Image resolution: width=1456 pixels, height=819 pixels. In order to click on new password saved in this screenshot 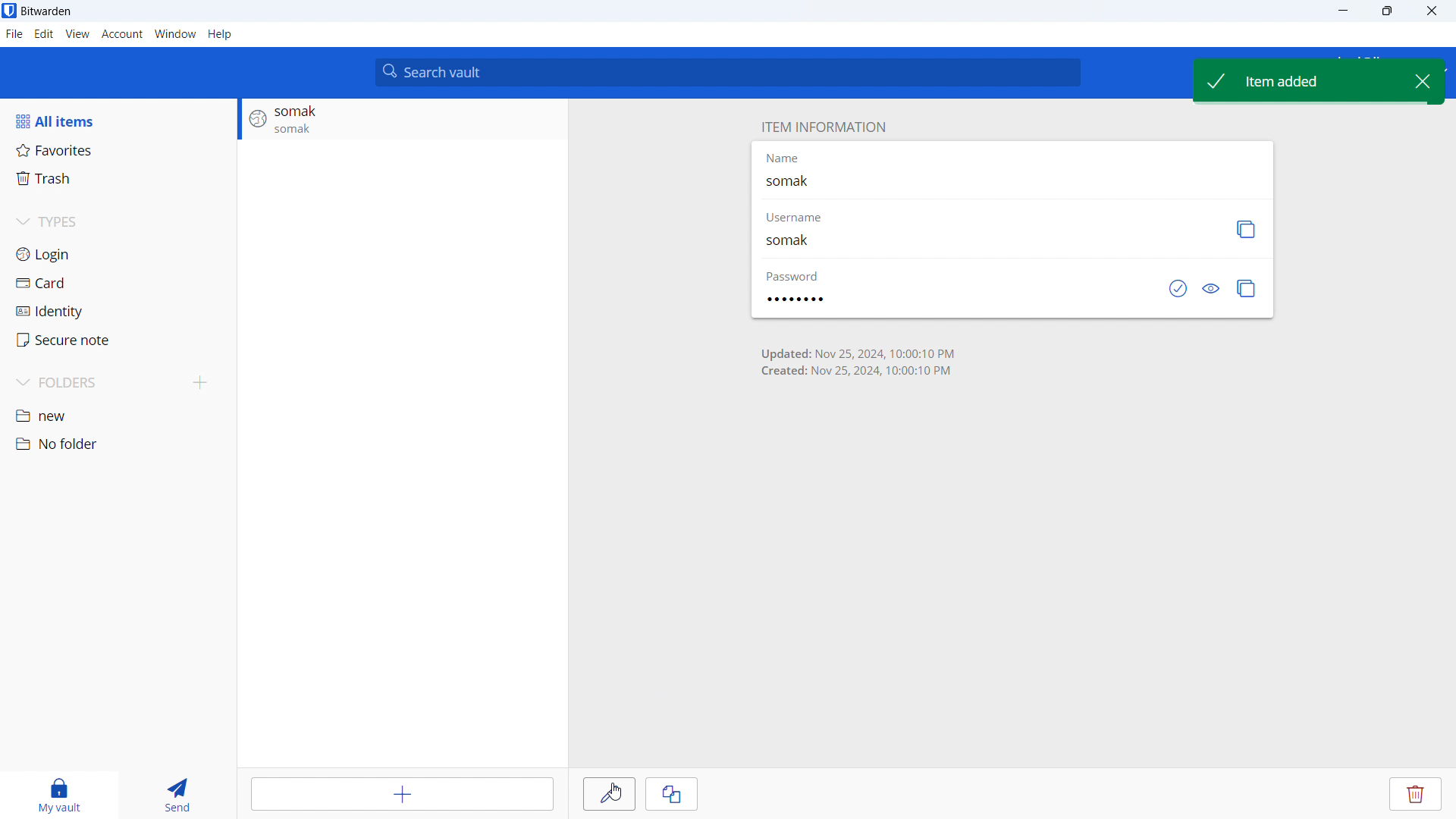, I will do `click(1292, 82)`.